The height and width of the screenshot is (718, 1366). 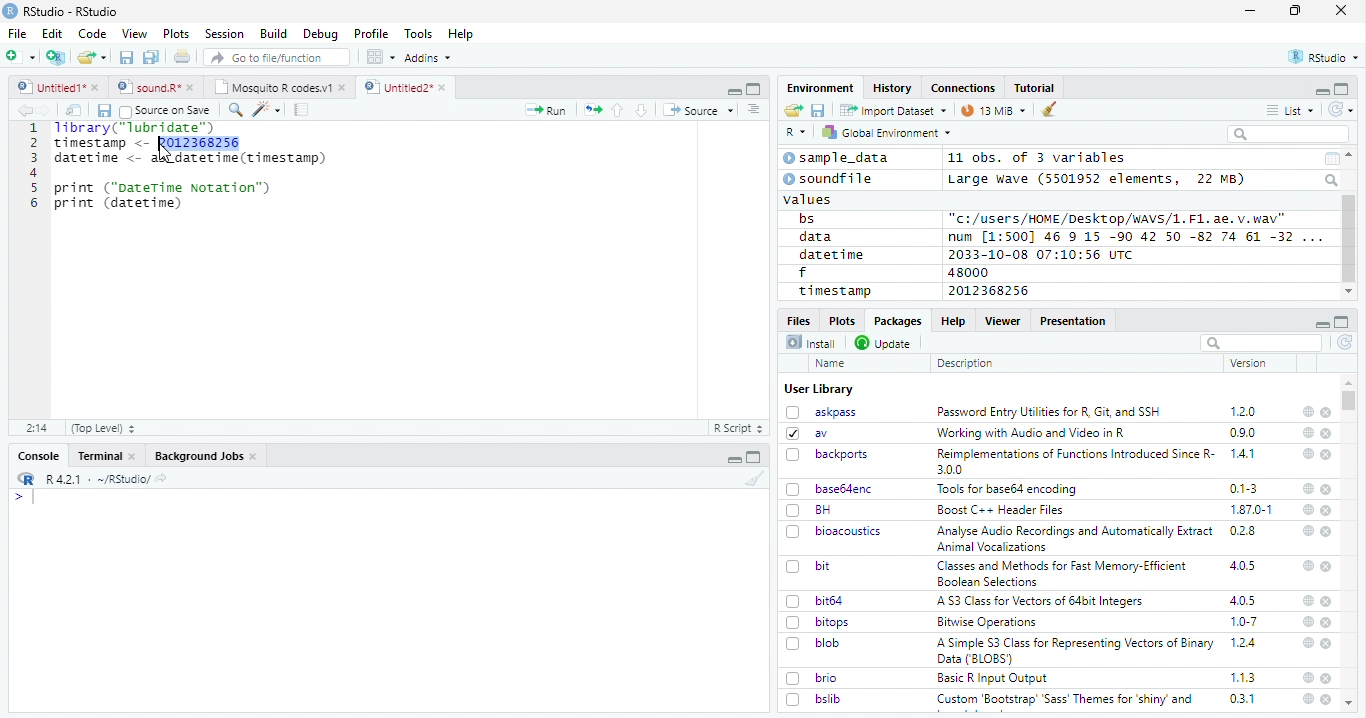 I want to click on 0.9.0, so click(x=1243, y=433).